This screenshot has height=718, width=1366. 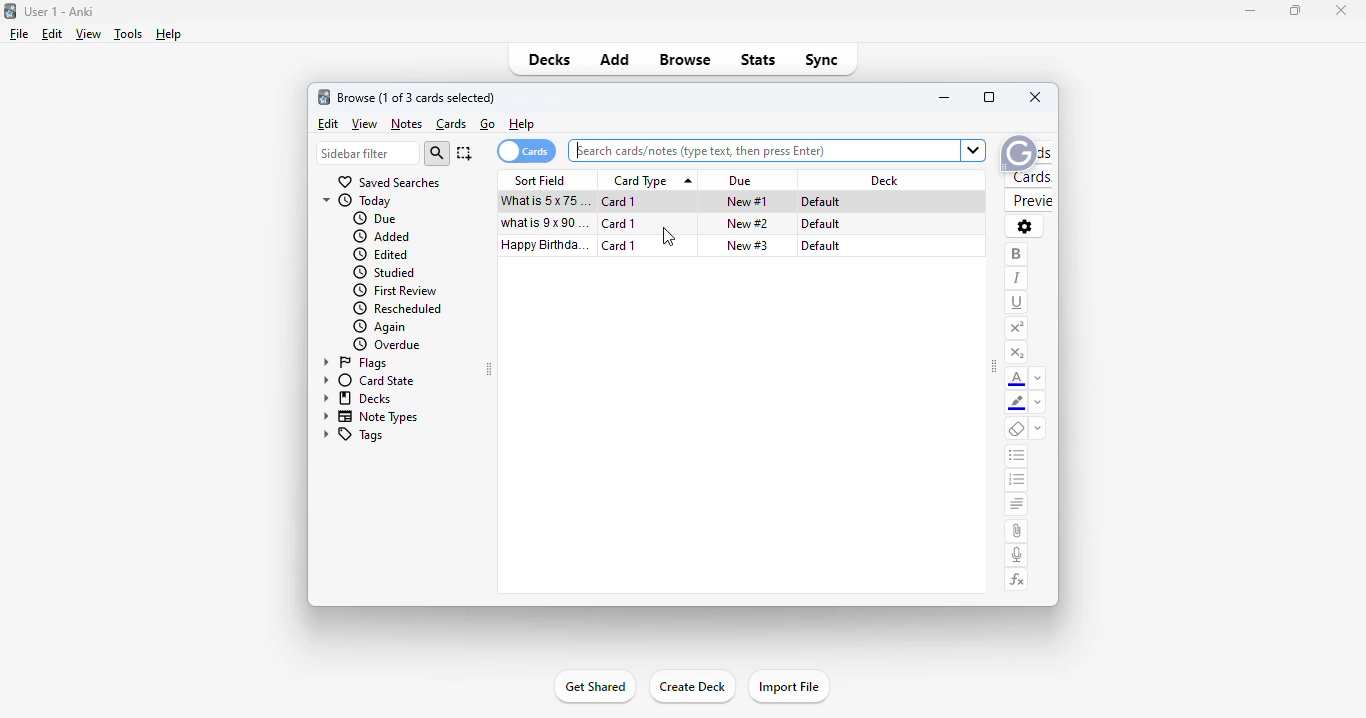 What do you see at coordinates (452, 125) in the screenshot?
I see `cards` at bounding box center [452, 125].